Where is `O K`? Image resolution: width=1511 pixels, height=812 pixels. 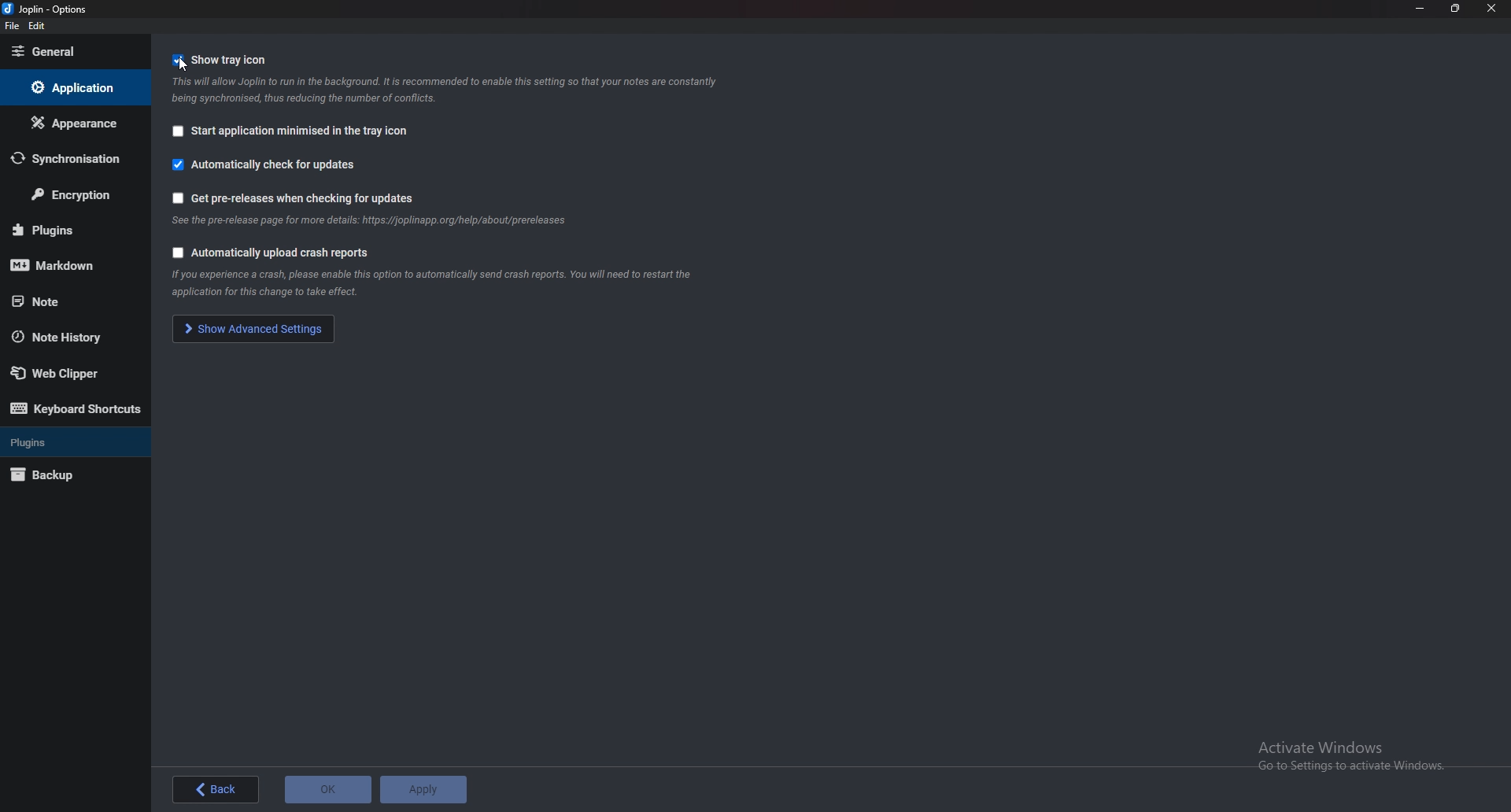 O K is located at coordinates (327, 789).